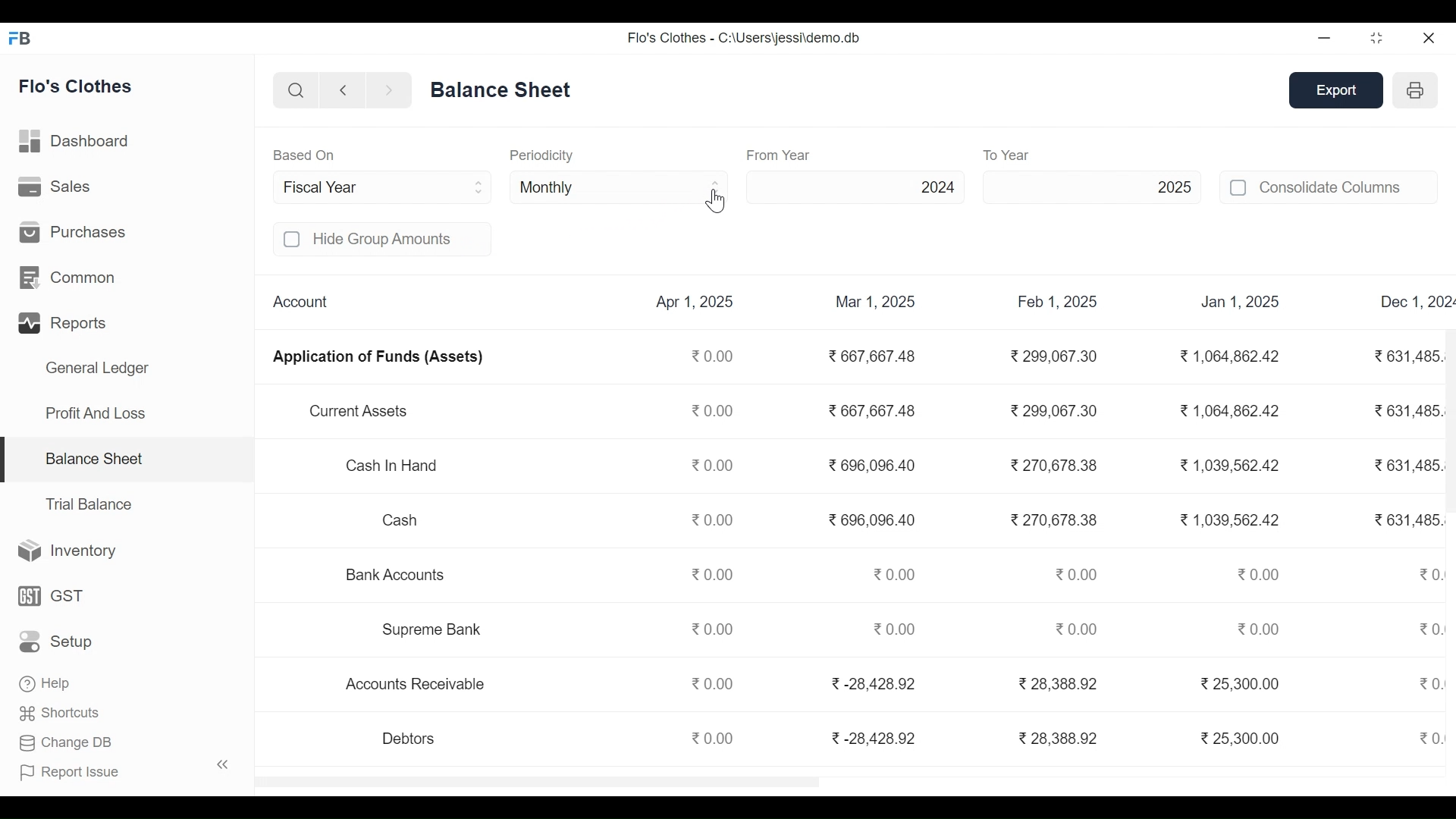 The image size is (1456, 819). What do you see at coordinates (400, 239) in the screenshot?
I see `Hide Group Amounts` at bounding box center [400, 239].